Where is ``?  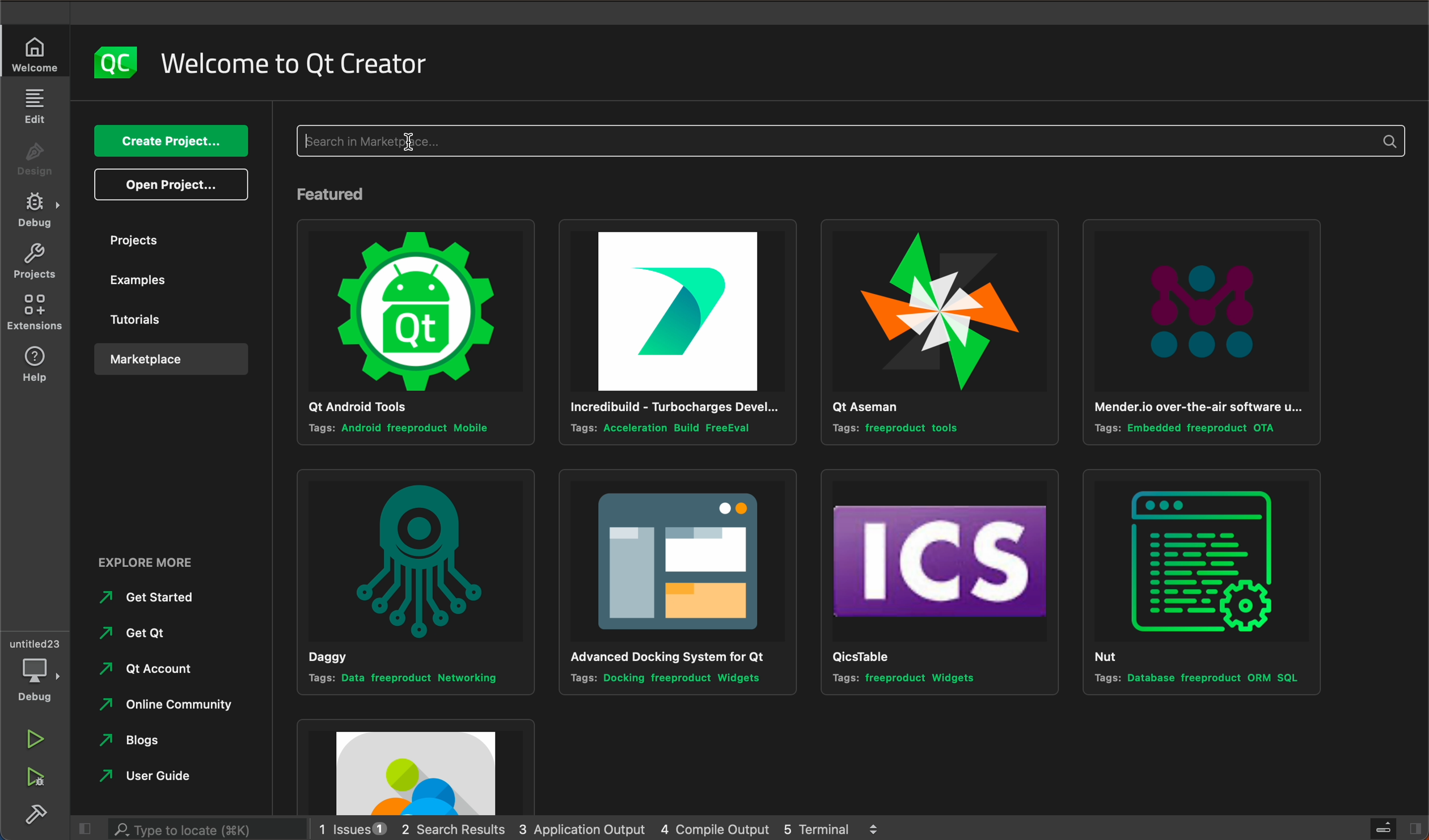
 is located at coordinates (417, 766).